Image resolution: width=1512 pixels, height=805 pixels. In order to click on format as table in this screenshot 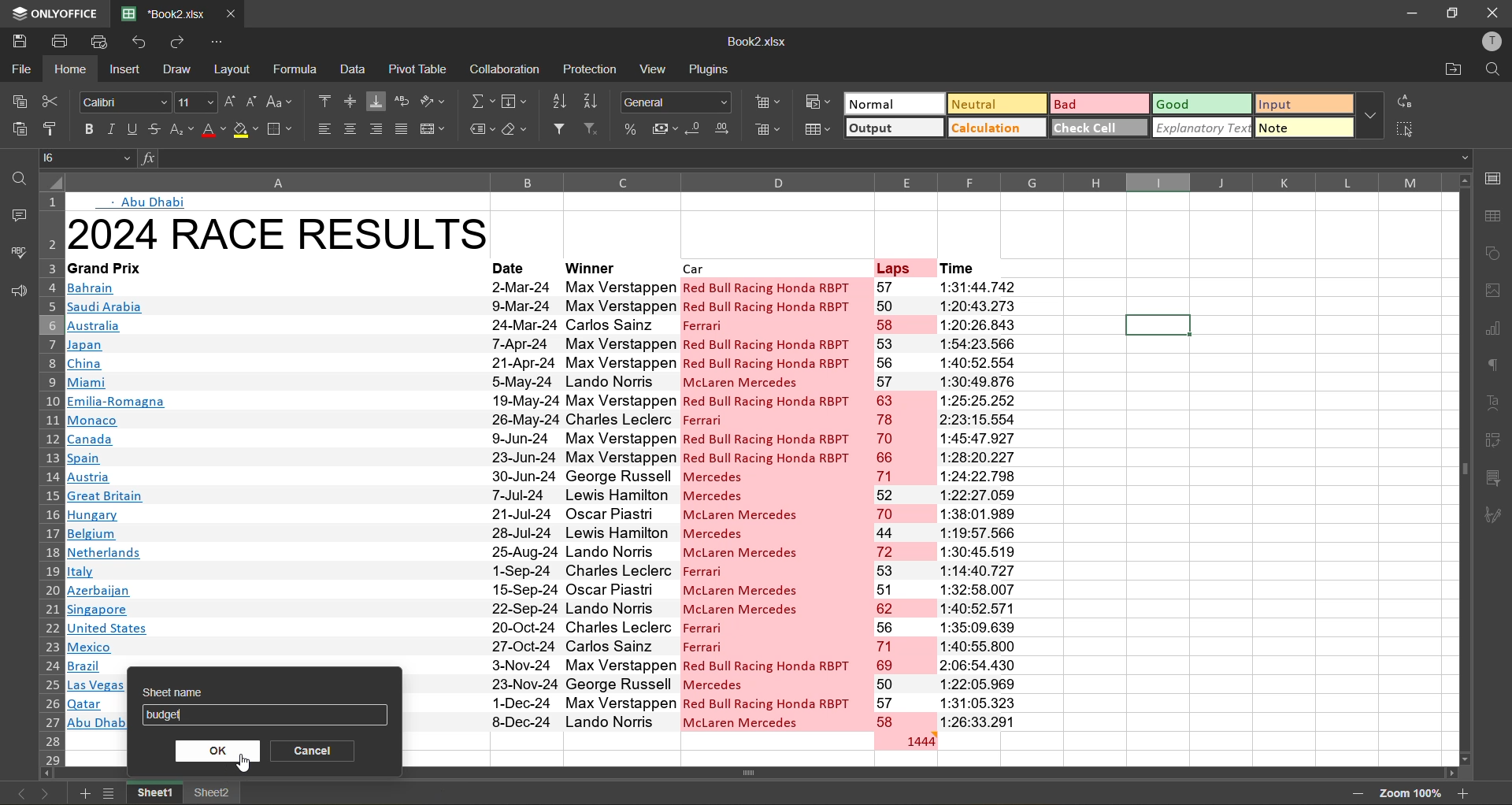, I will do `click(816, 129)`.